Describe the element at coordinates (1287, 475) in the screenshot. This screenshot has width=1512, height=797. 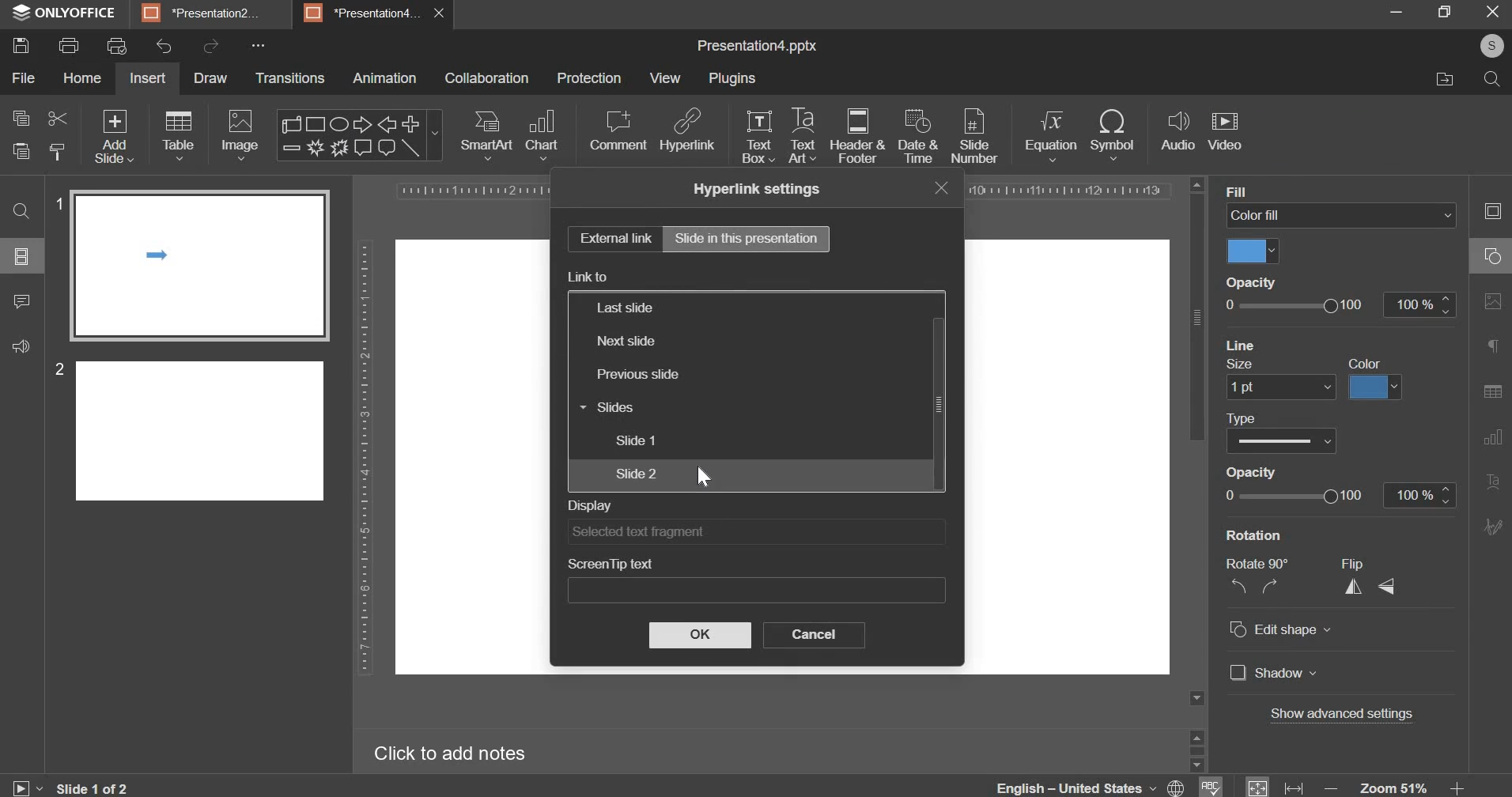
I see `` at that location.